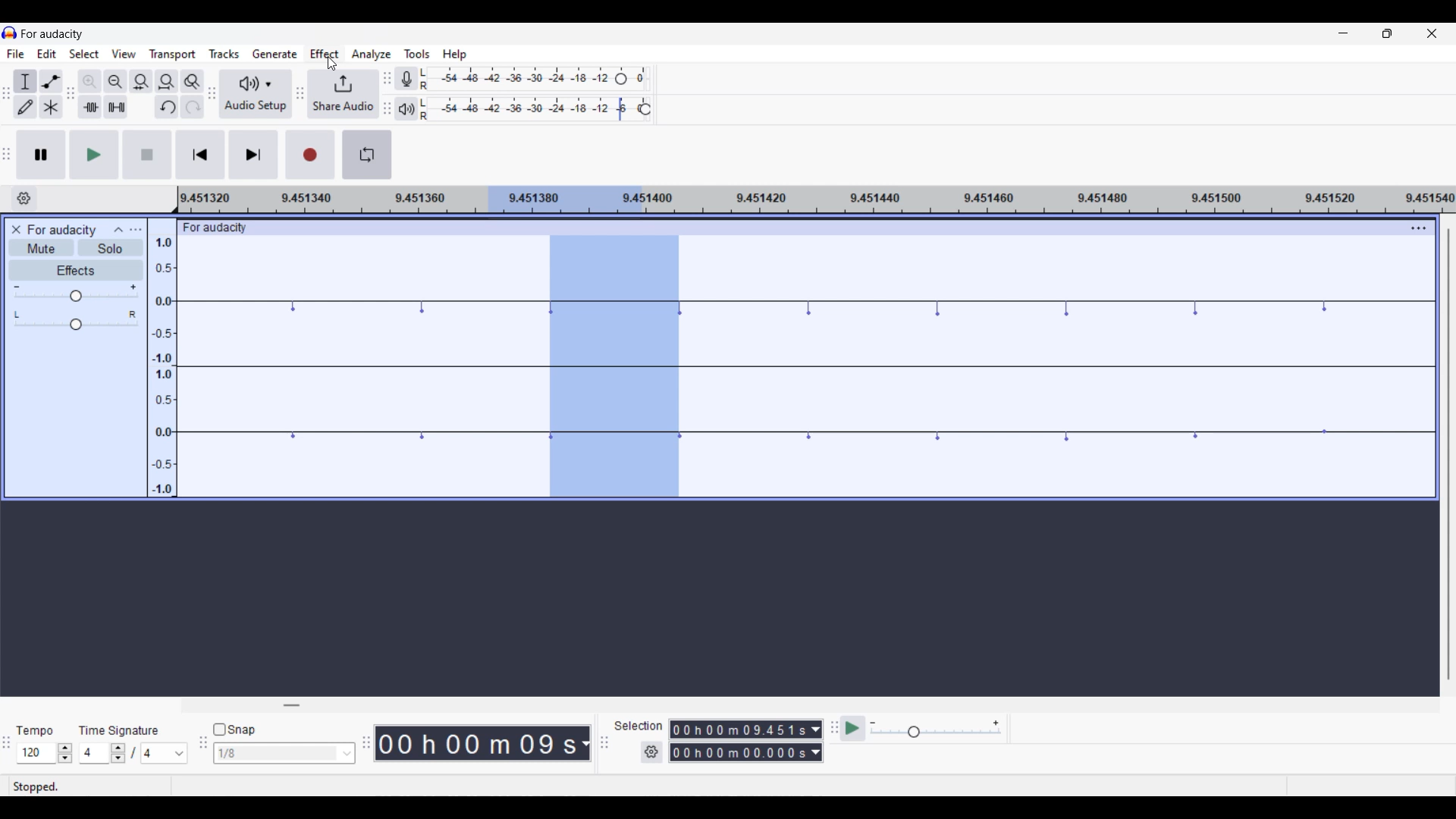  Describe the element at coordinates (253, 155) in the screenshot. I see `Skip/Select to end` at that location.